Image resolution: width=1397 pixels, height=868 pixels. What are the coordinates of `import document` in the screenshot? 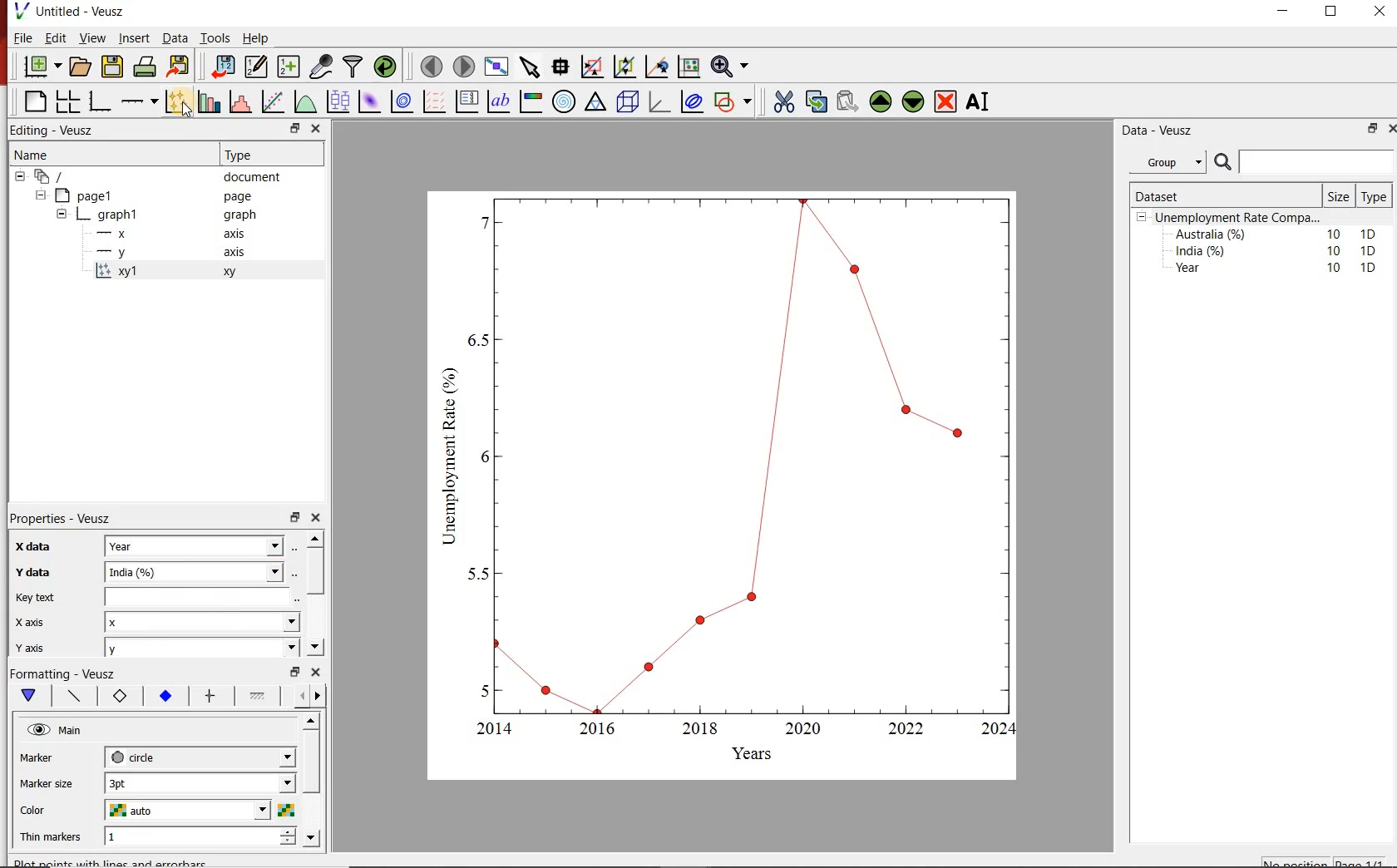 It's located at (225, 65).